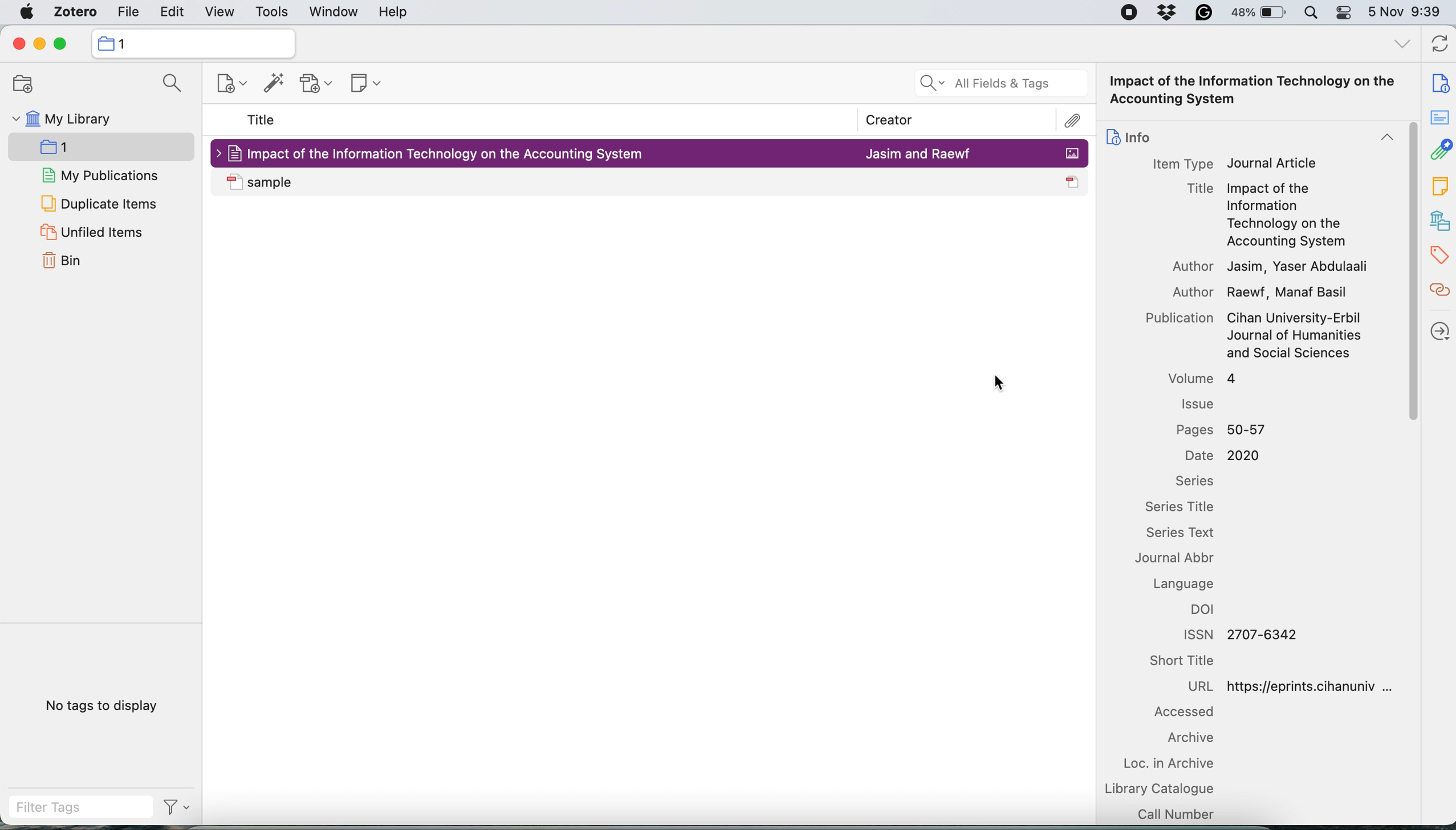 The image size is (1456, 830). I want to click on note, so click(1439, 186).